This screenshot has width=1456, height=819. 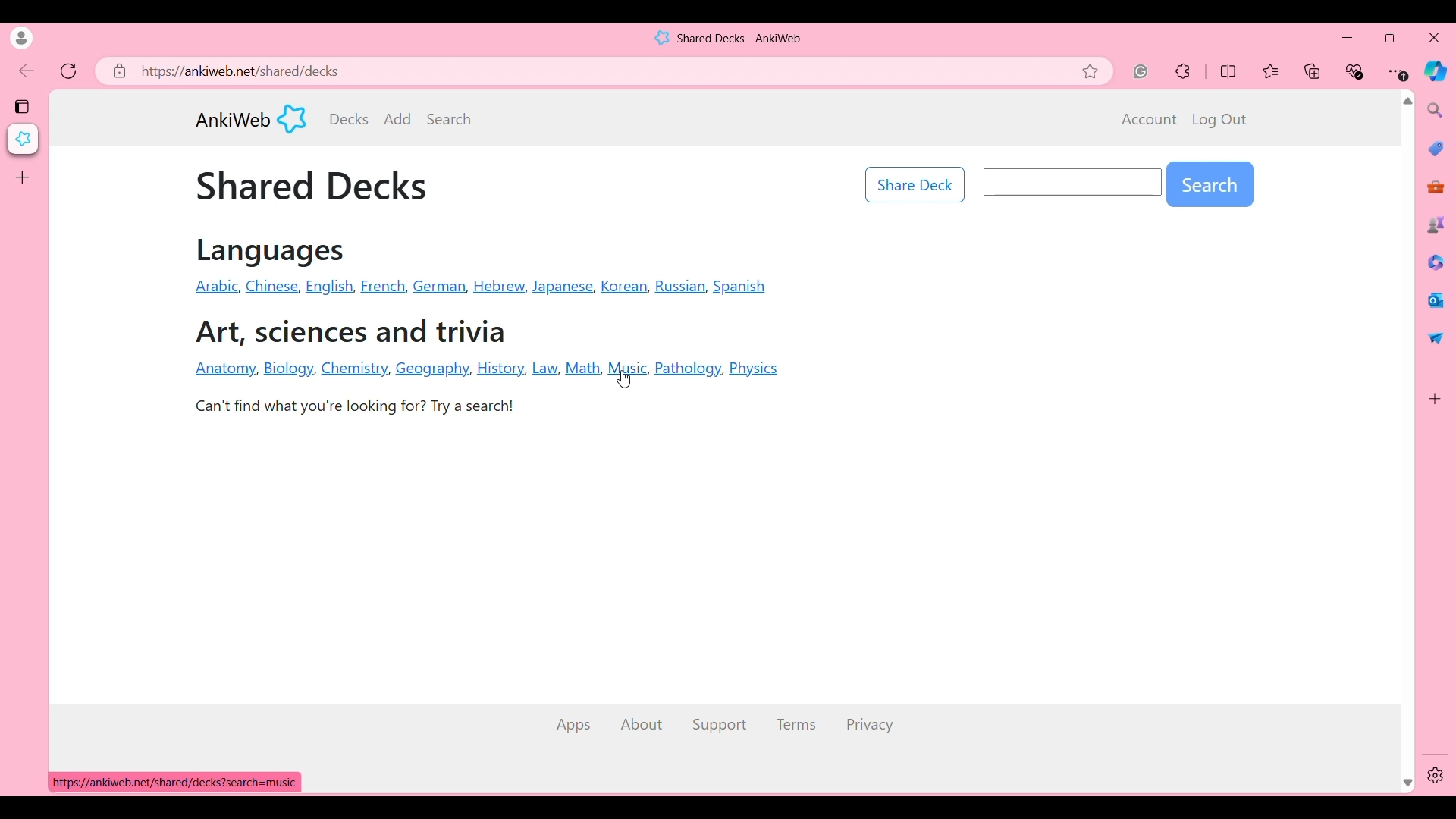 I want to click on Cursor , so click(x=627, y=382).